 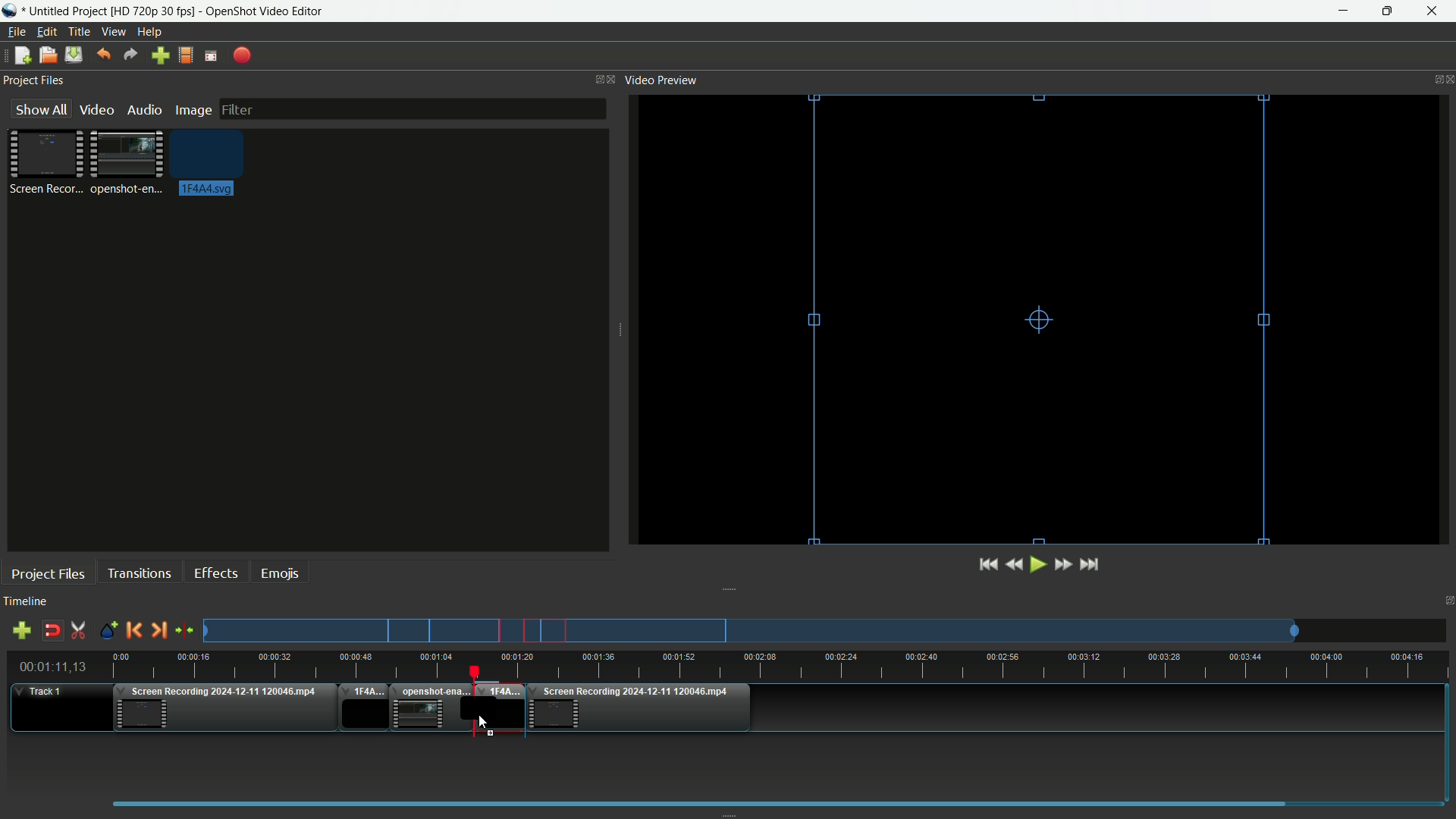 What do you see at coordinates (76, 33) in the screenshot?
I see `Title menu` at bounding box center [76, 33].